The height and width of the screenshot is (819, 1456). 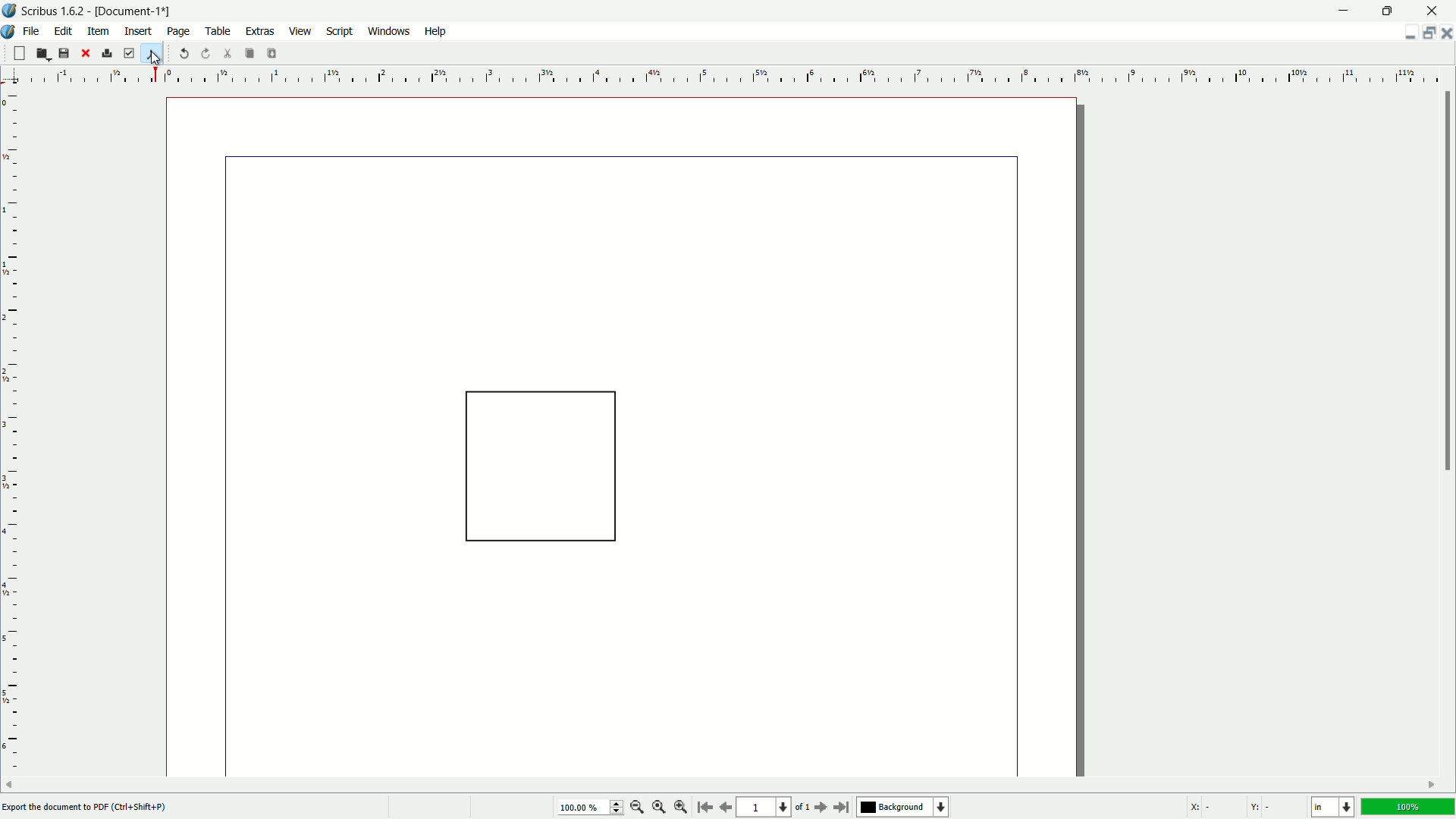 What do you see at coordinates (130, 53) in the screenshot?
I see `preflight verifier` at bounding box center [130, 53].